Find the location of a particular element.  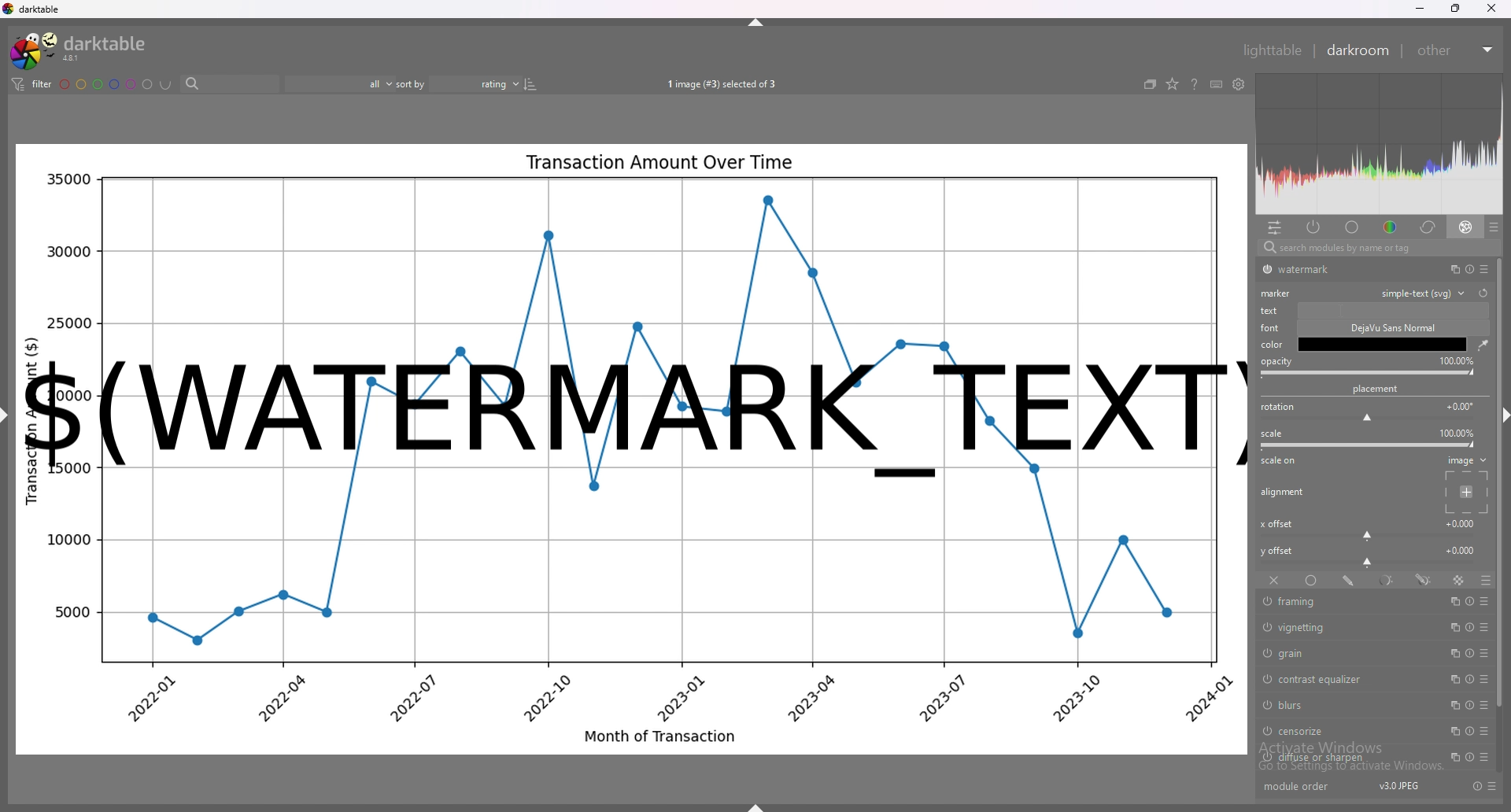

scale bar is located at coordinates (1369, 445).